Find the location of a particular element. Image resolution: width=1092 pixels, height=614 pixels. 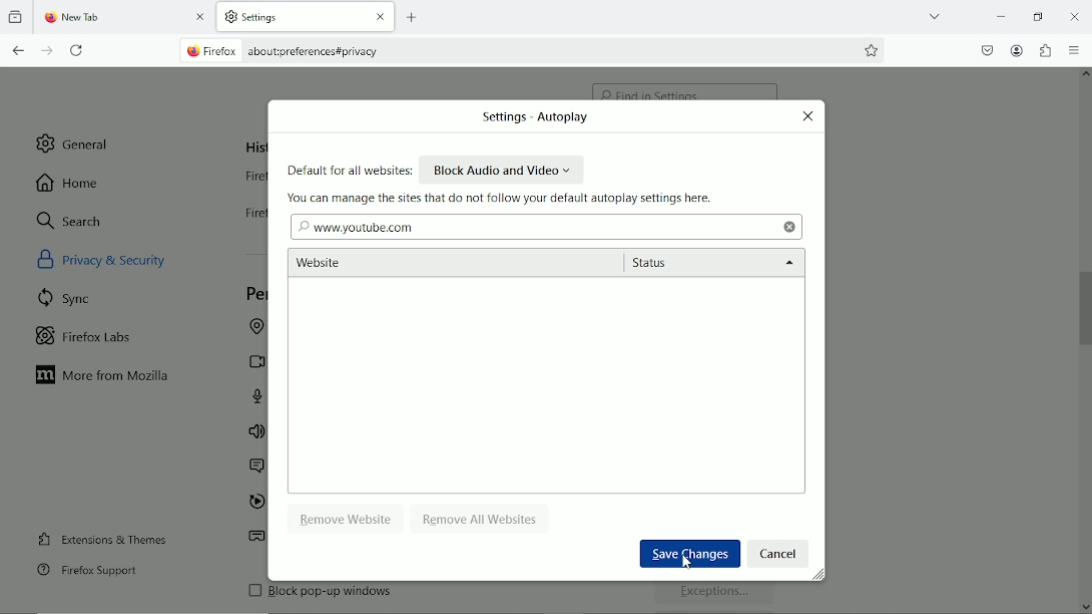

save to pocket is located at coordinates (986, 48).